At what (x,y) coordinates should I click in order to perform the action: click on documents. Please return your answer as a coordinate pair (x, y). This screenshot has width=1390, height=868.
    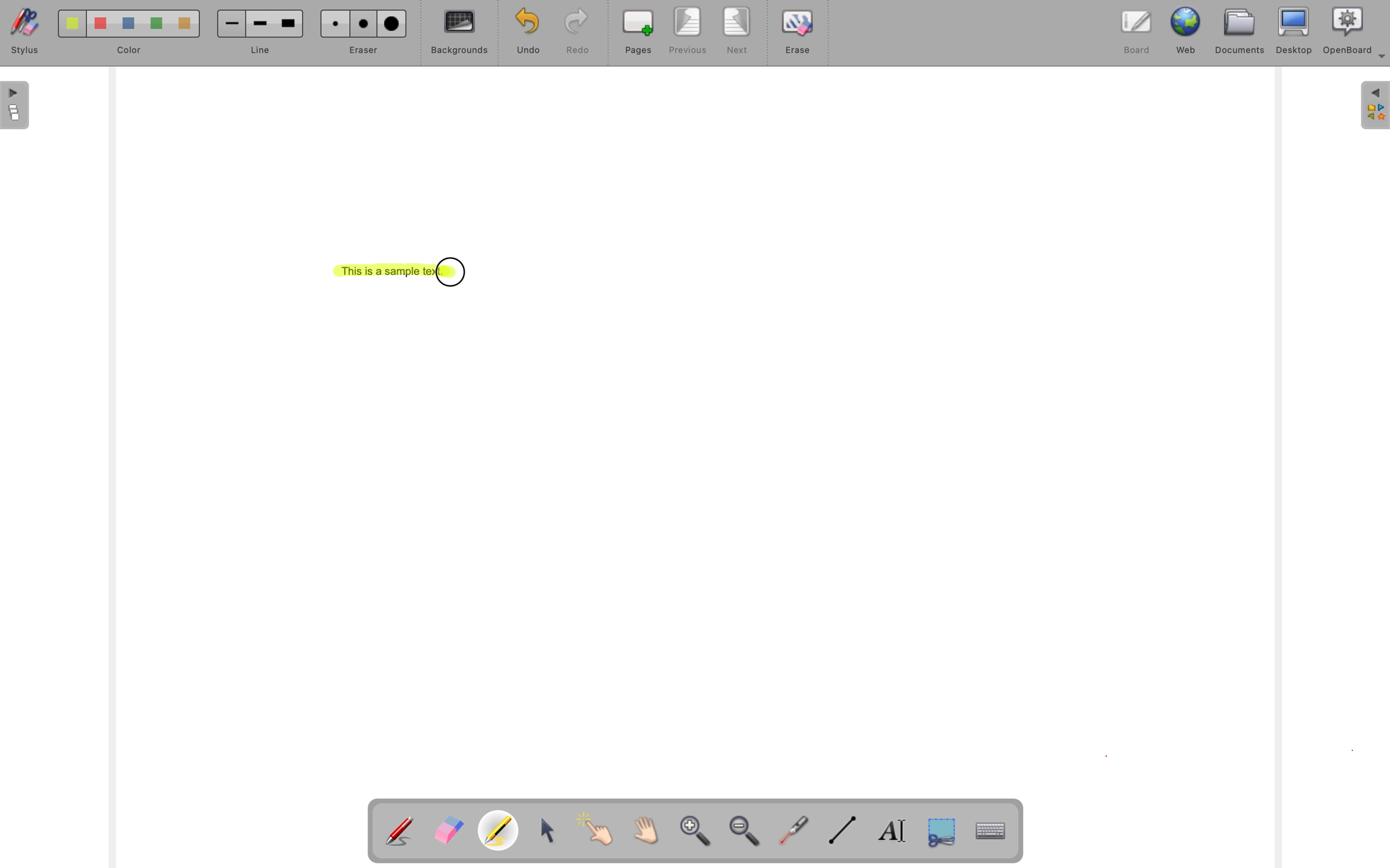
    Looking at the image, I should click on (1240, 33).